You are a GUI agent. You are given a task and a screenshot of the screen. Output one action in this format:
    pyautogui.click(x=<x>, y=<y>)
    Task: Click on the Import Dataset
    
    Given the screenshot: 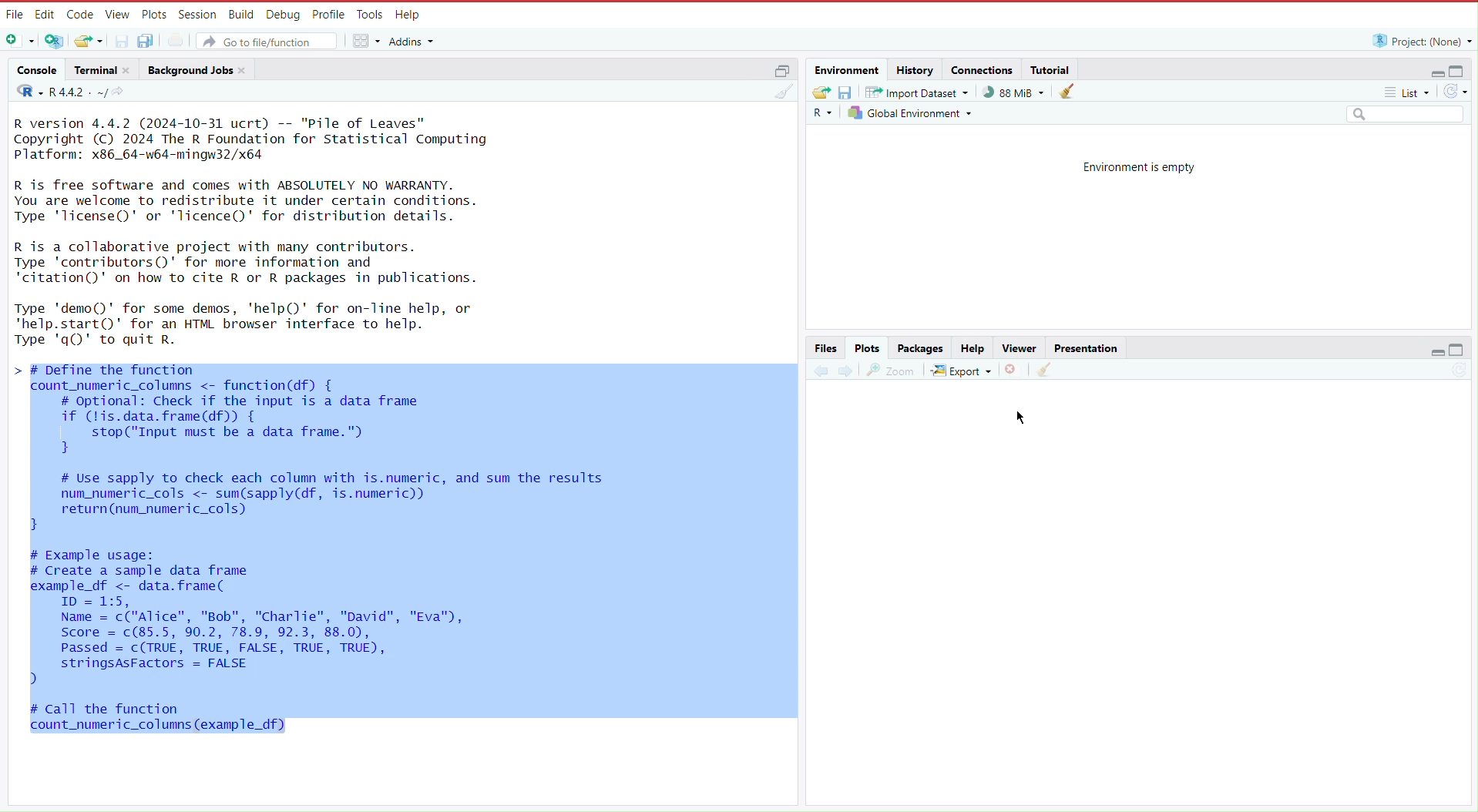 What is the action you would take?
    pyautogui.click(x=919, y=92)
    